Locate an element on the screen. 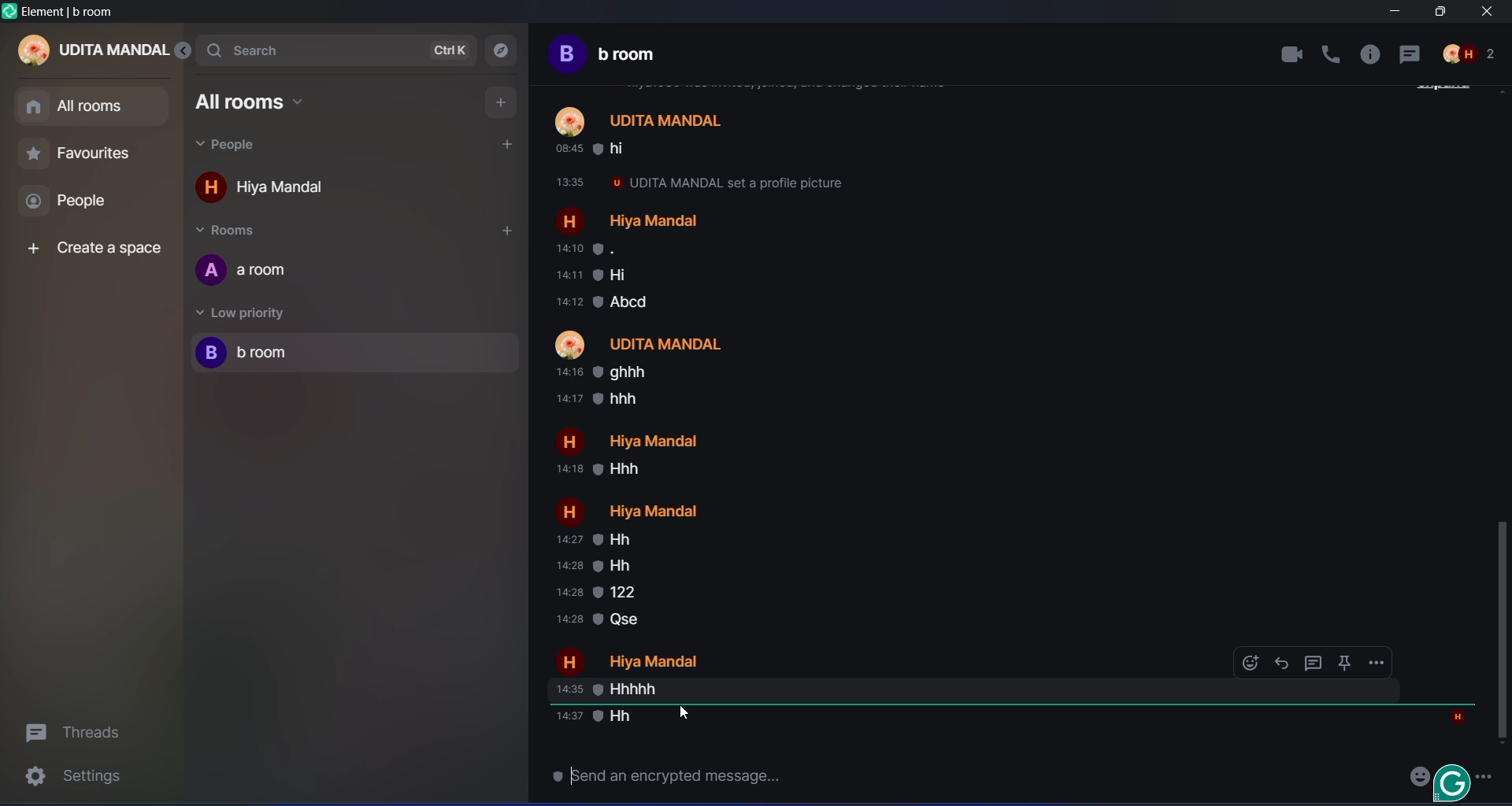  vertical scroll bar is located at coordinates (1501, 634).